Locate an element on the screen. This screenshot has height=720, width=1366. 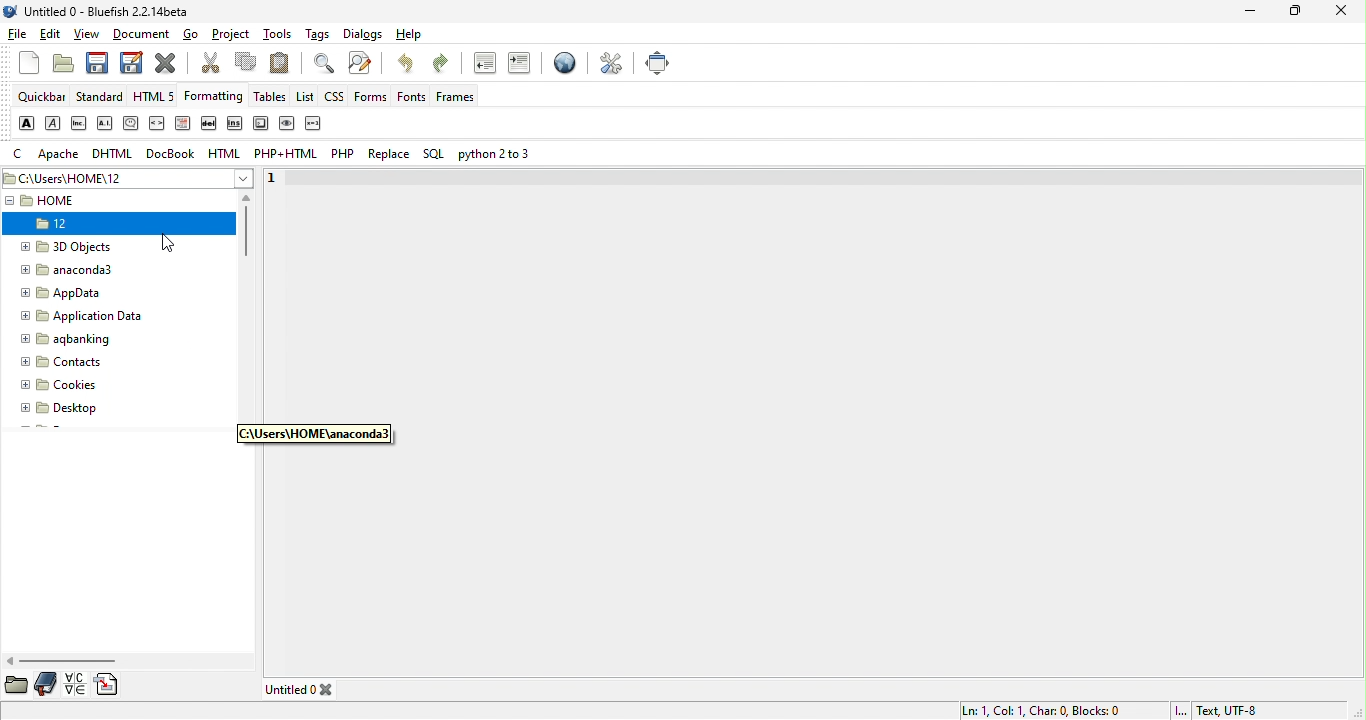
title is located at coordinates (100, 15).